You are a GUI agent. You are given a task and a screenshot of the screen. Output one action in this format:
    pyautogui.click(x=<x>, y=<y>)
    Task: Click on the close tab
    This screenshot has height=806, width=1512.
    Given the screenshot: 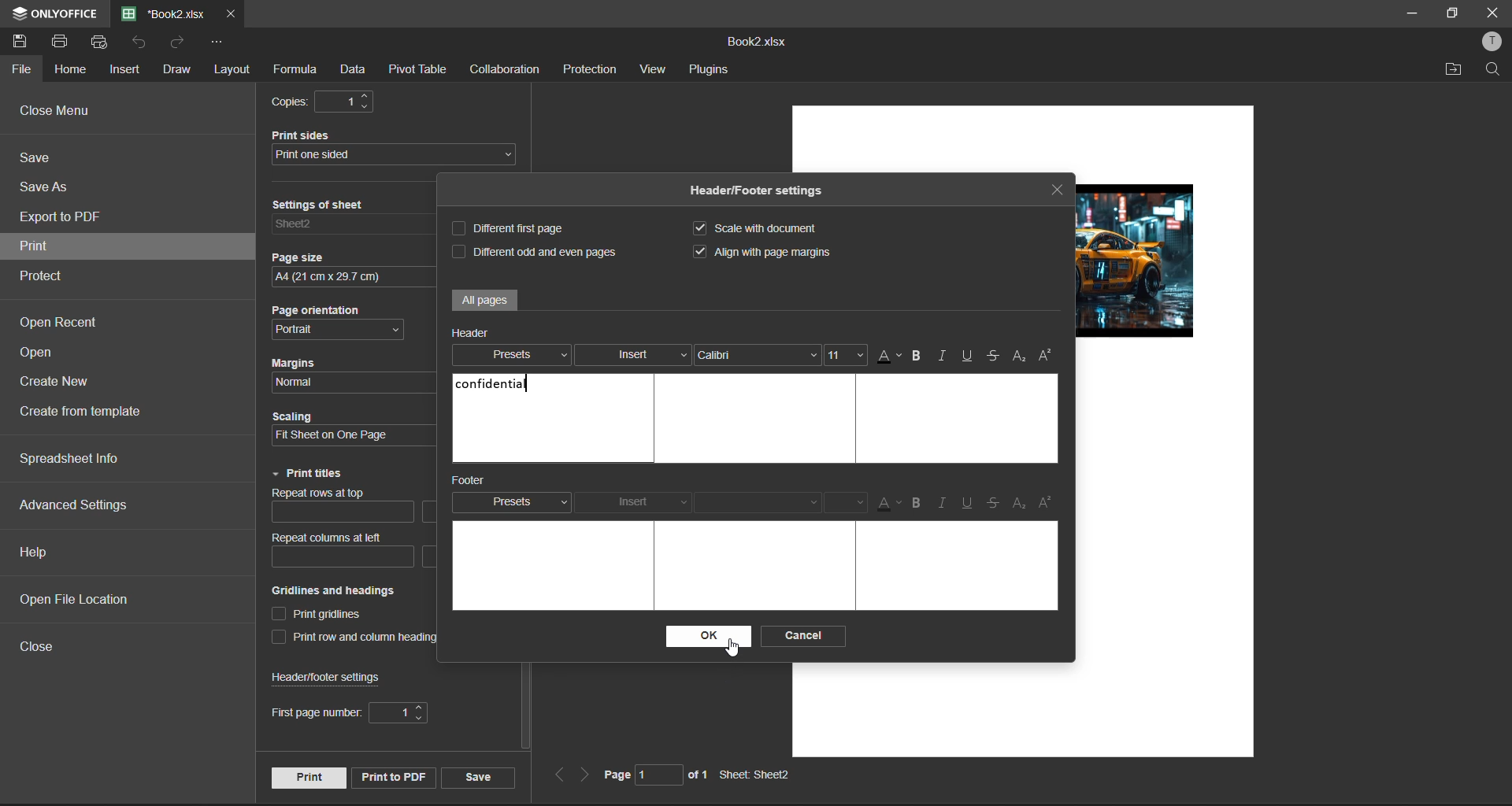 What is the action you would take?
    pyautogui.click(x=229, y=16)
    